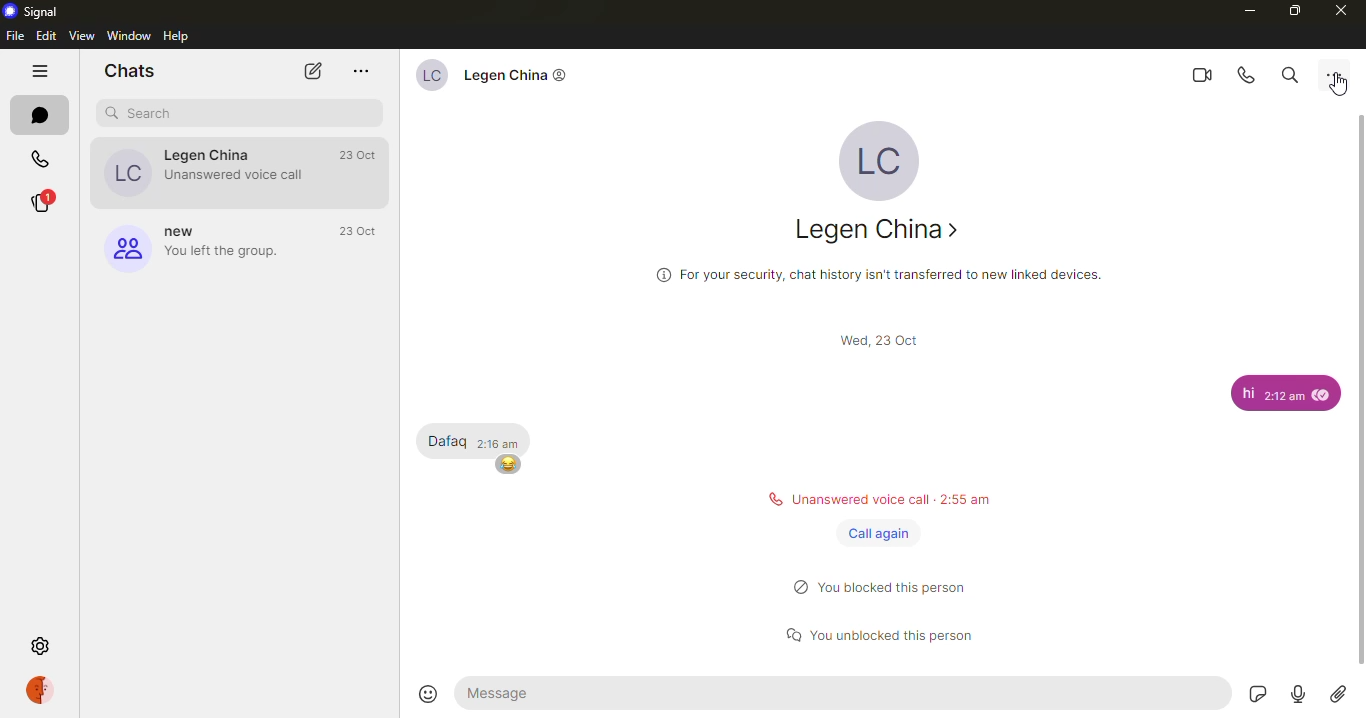  Describe the element at coordinates (878, 160) in the screenshot. I see `profile pic` at that location.